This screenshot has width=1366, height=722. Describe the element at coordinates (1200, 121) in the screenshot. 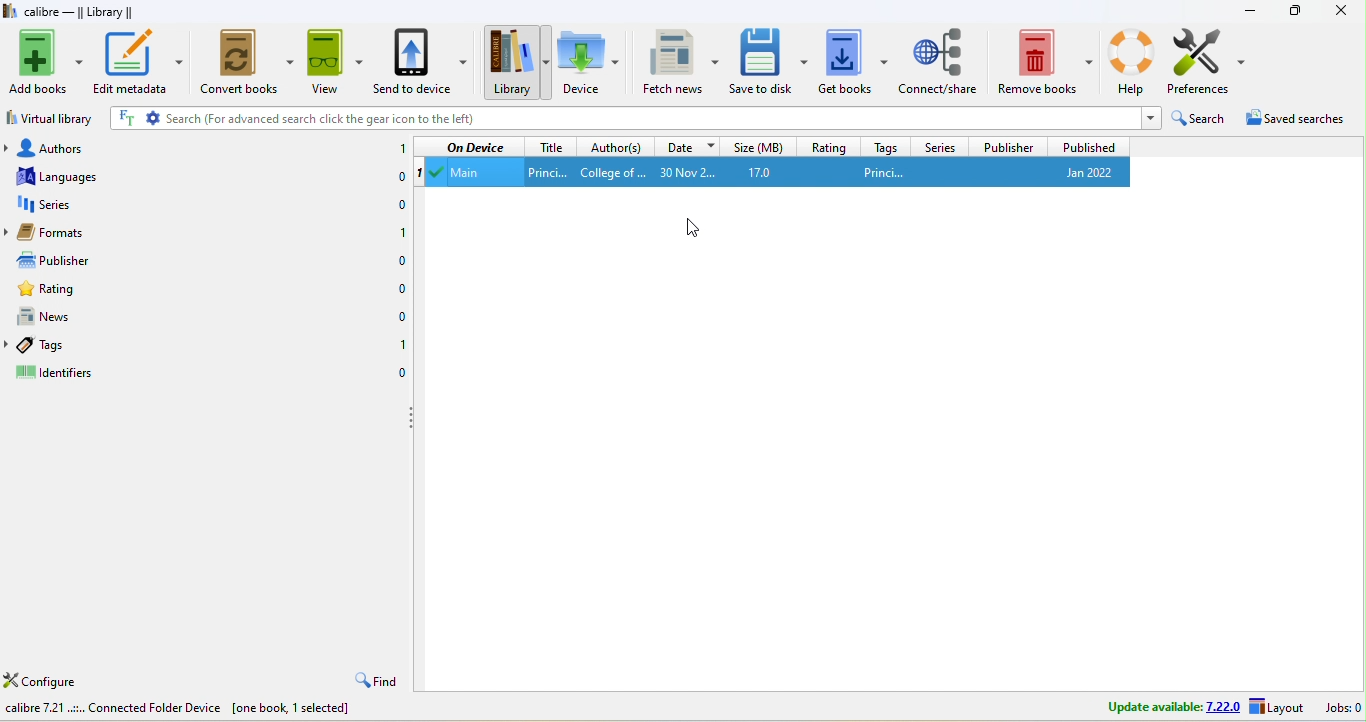

I see `search` at that location.